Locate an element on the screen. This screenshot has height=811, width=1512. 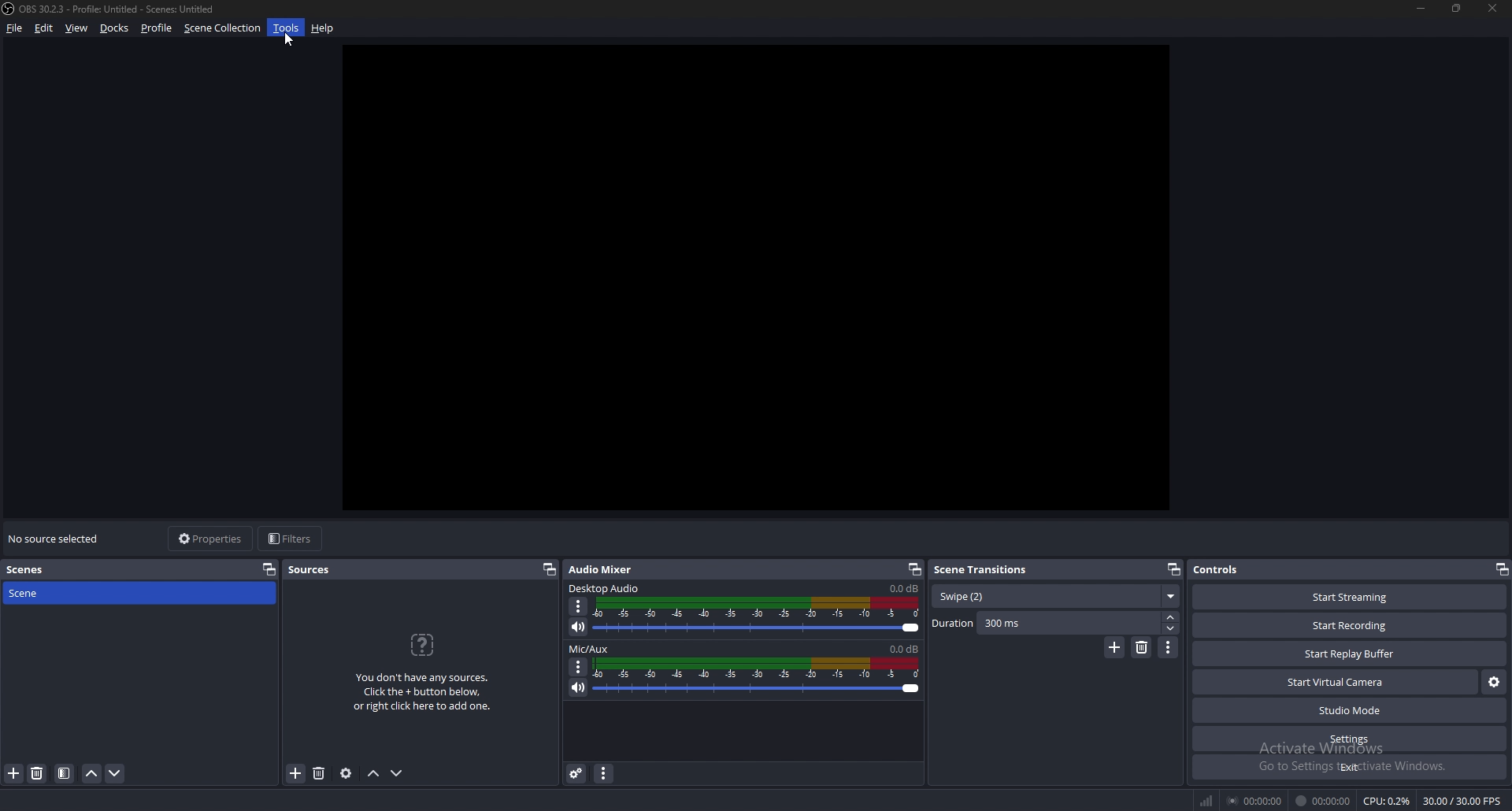
move scene up is located at coordinates (93, 773).